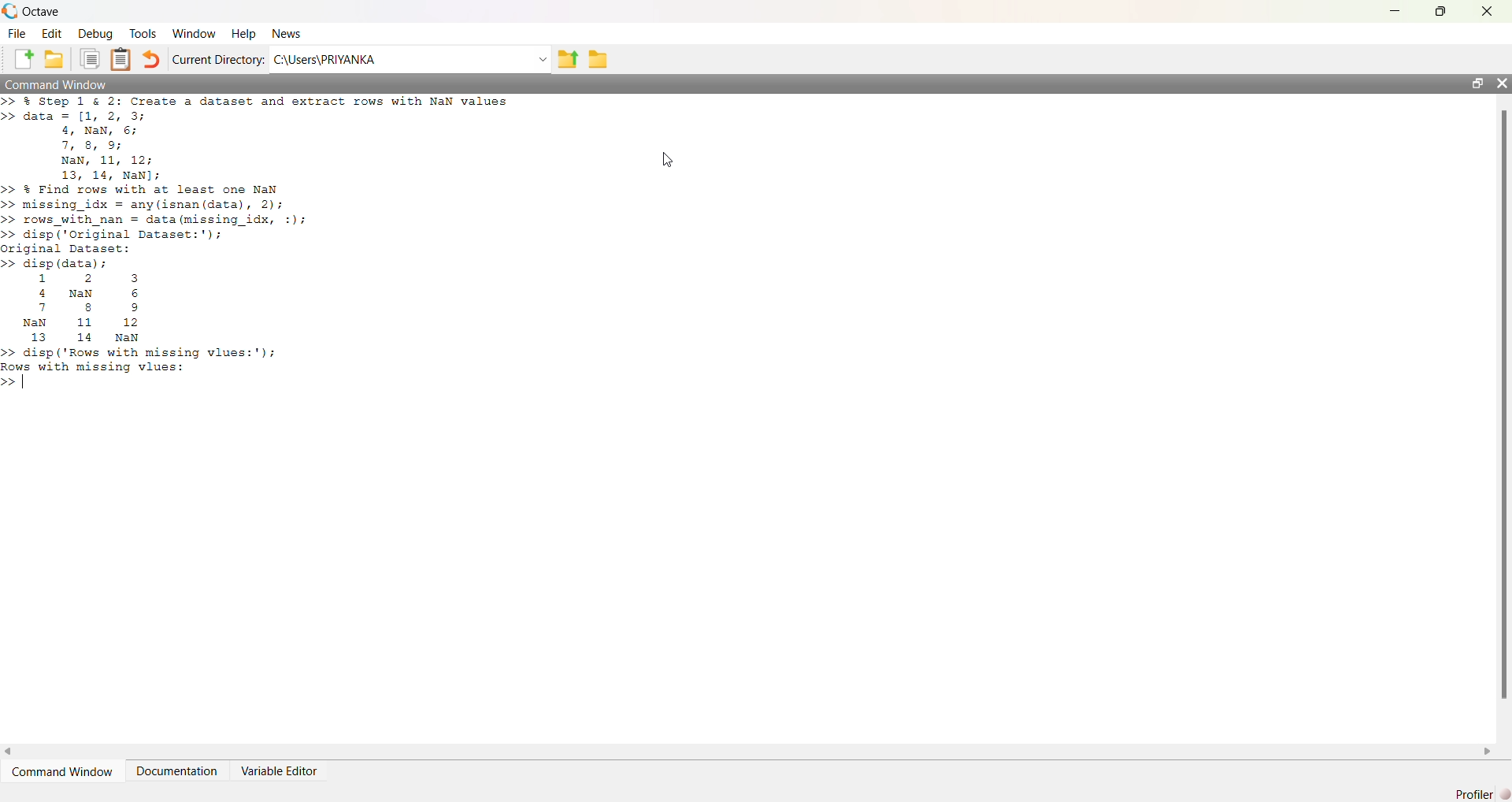 The image size is (1512, 802). I want to click on folder, so click(598, 60).